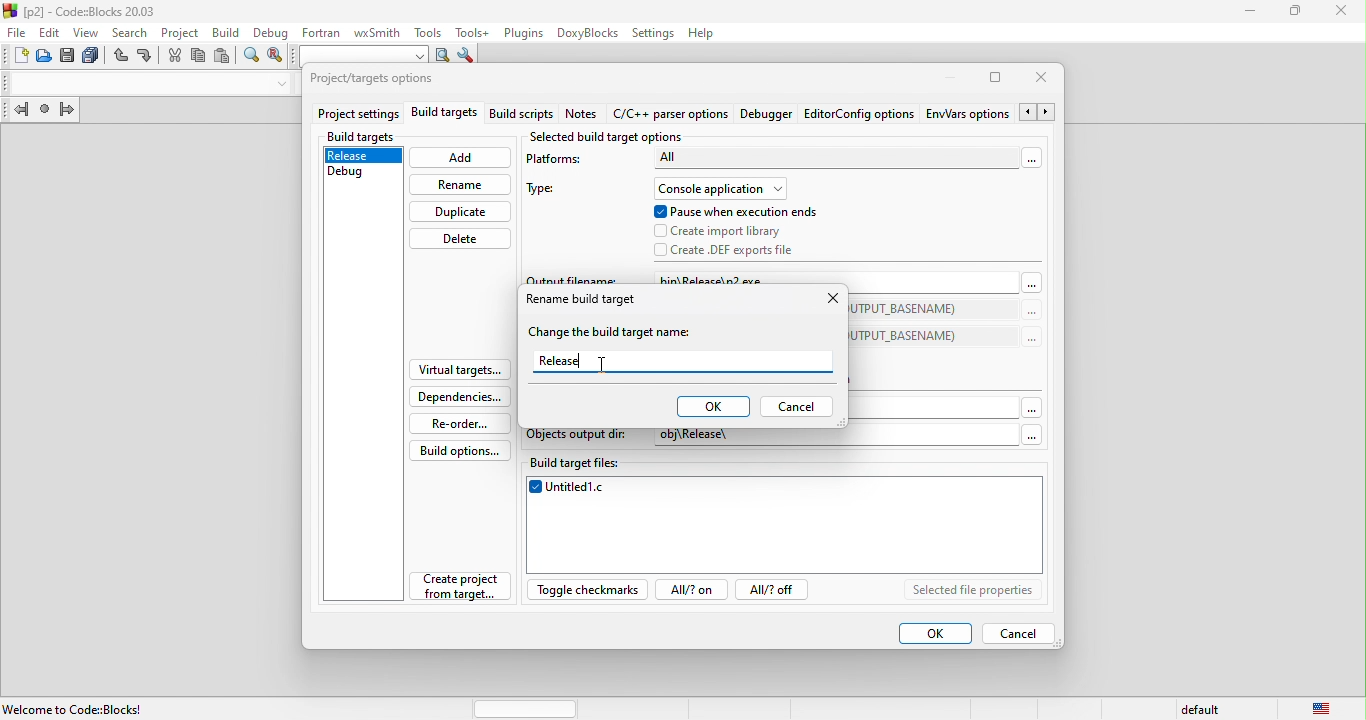 The image size is (1366, 720). Describe the element at coordinates (446, 115) in the screenshot. I see `build targets` at that location.